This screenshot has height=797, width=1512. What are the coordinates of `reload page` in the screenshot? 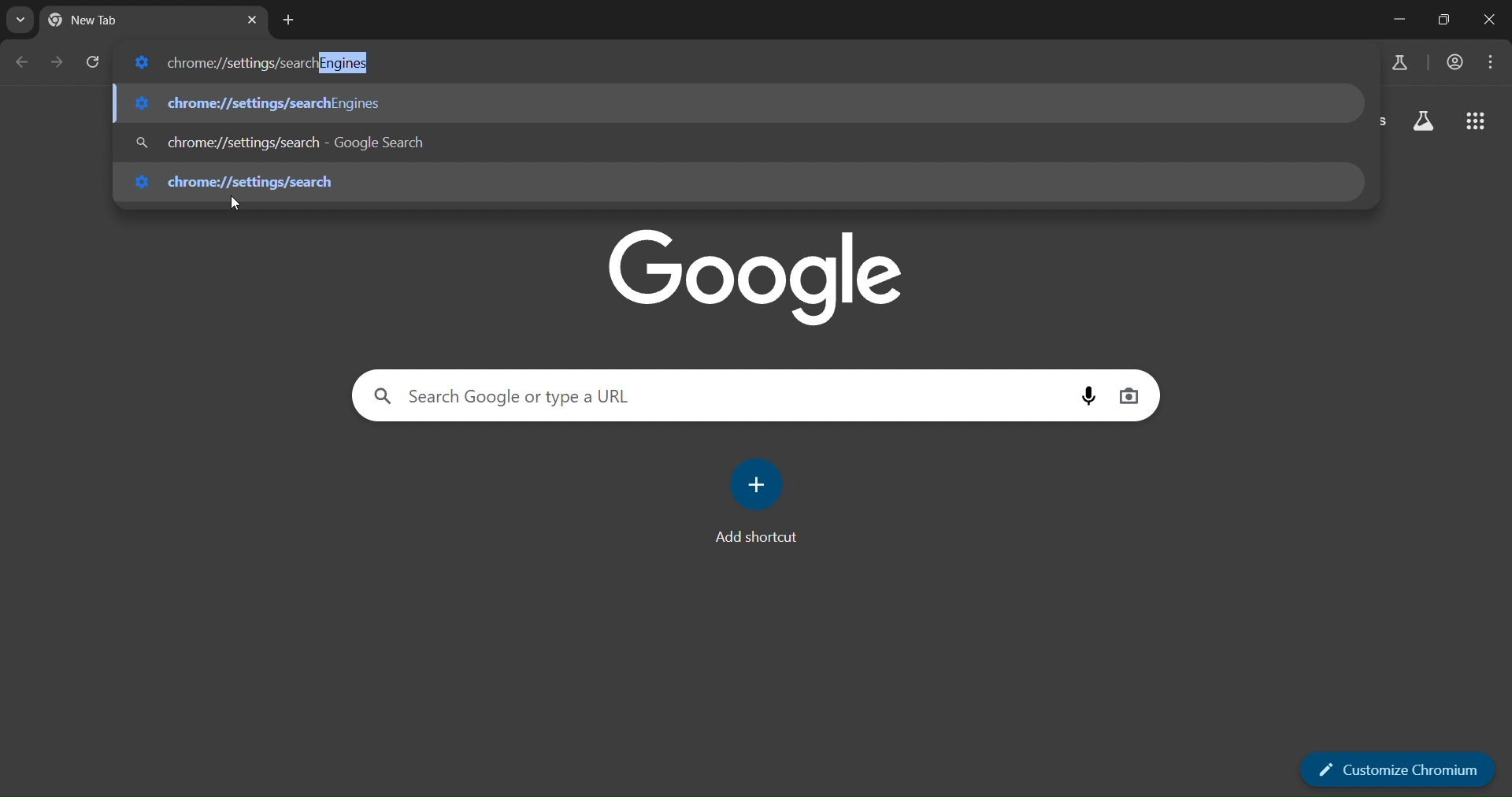 It's located at (94, 63).